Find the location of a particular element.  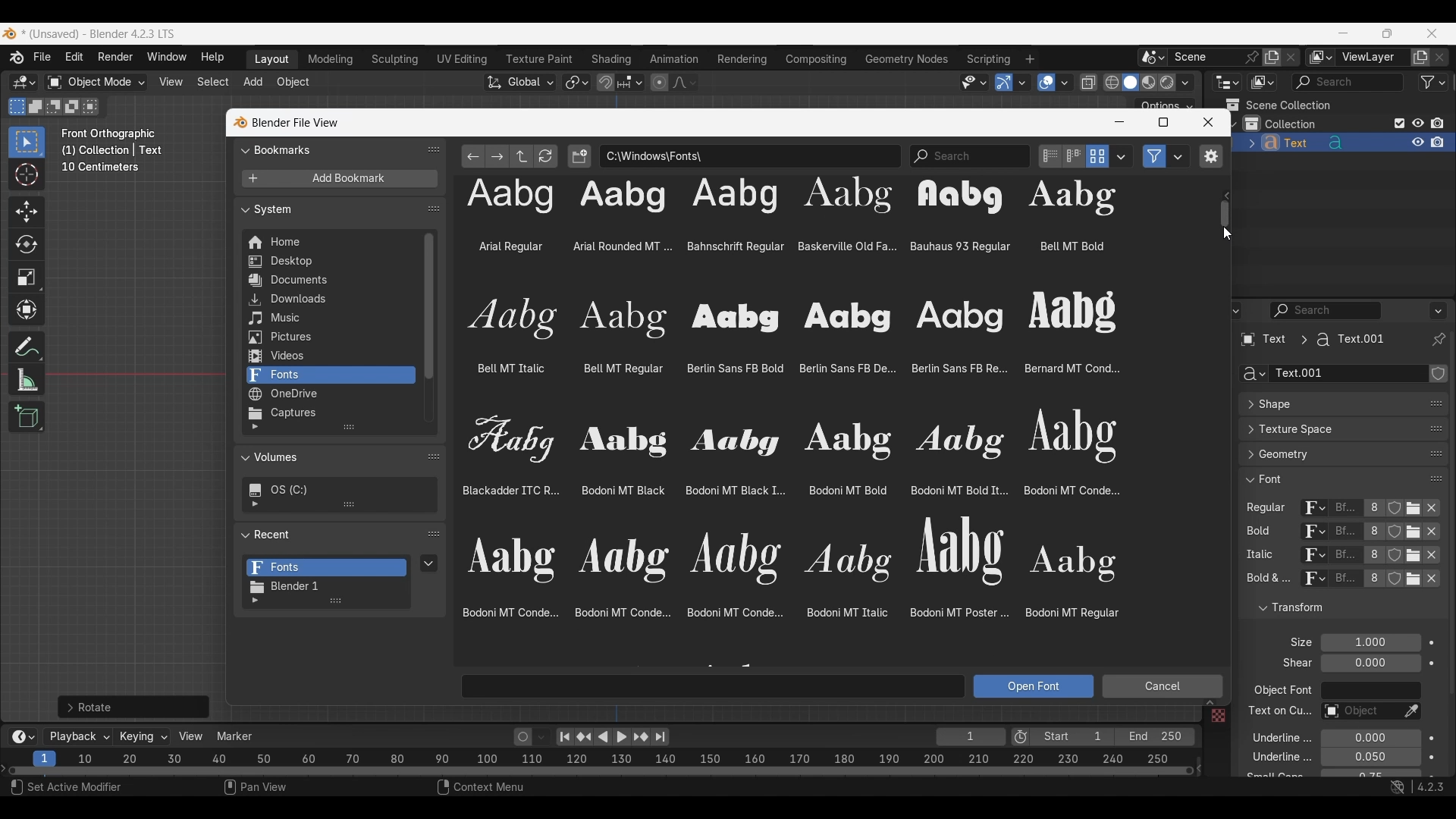

Small caps is located at coordinates (1370, 773).